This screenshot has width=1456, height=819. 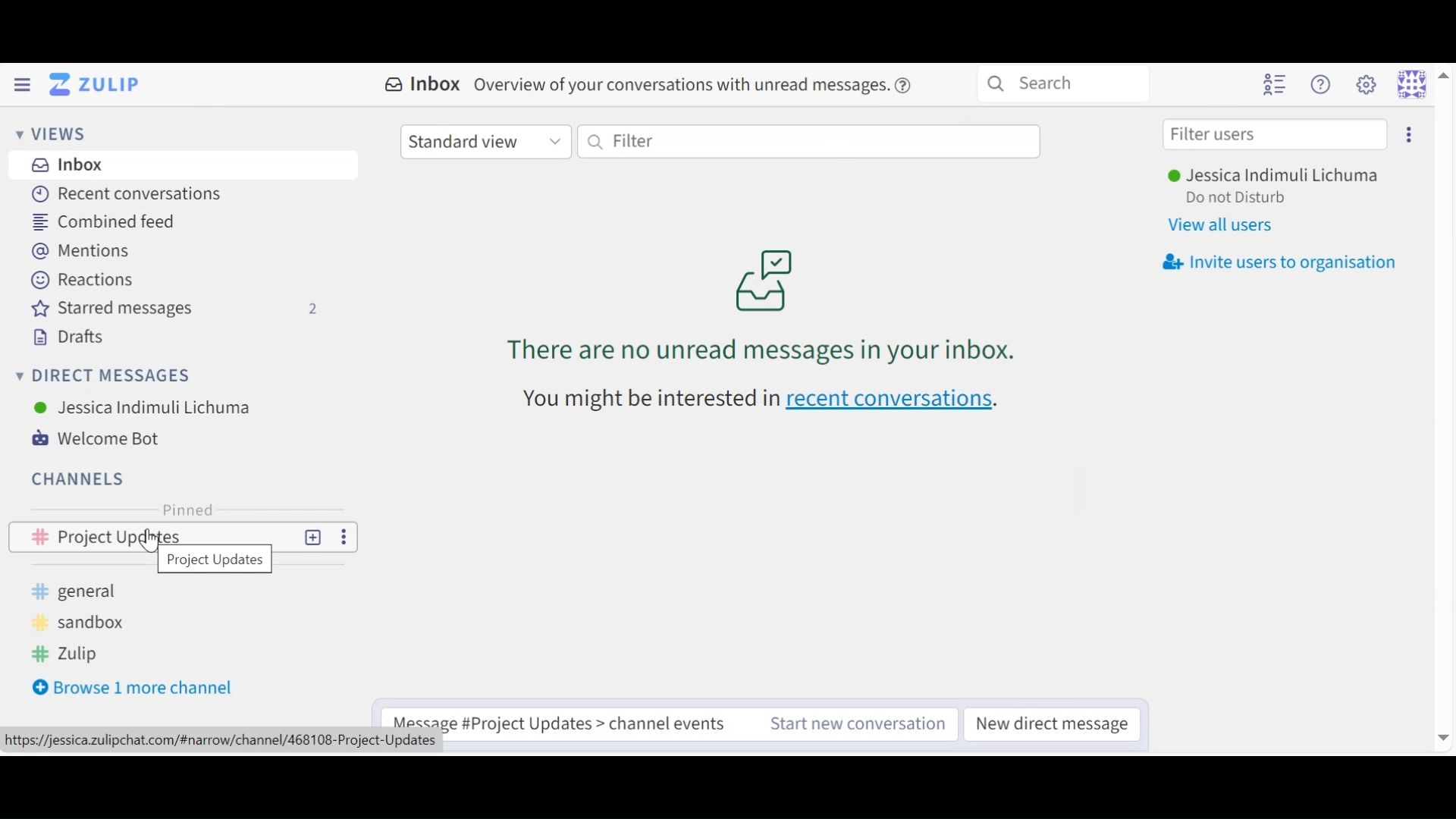 I want to click on Hide User list, so click(x=1276, y=82).